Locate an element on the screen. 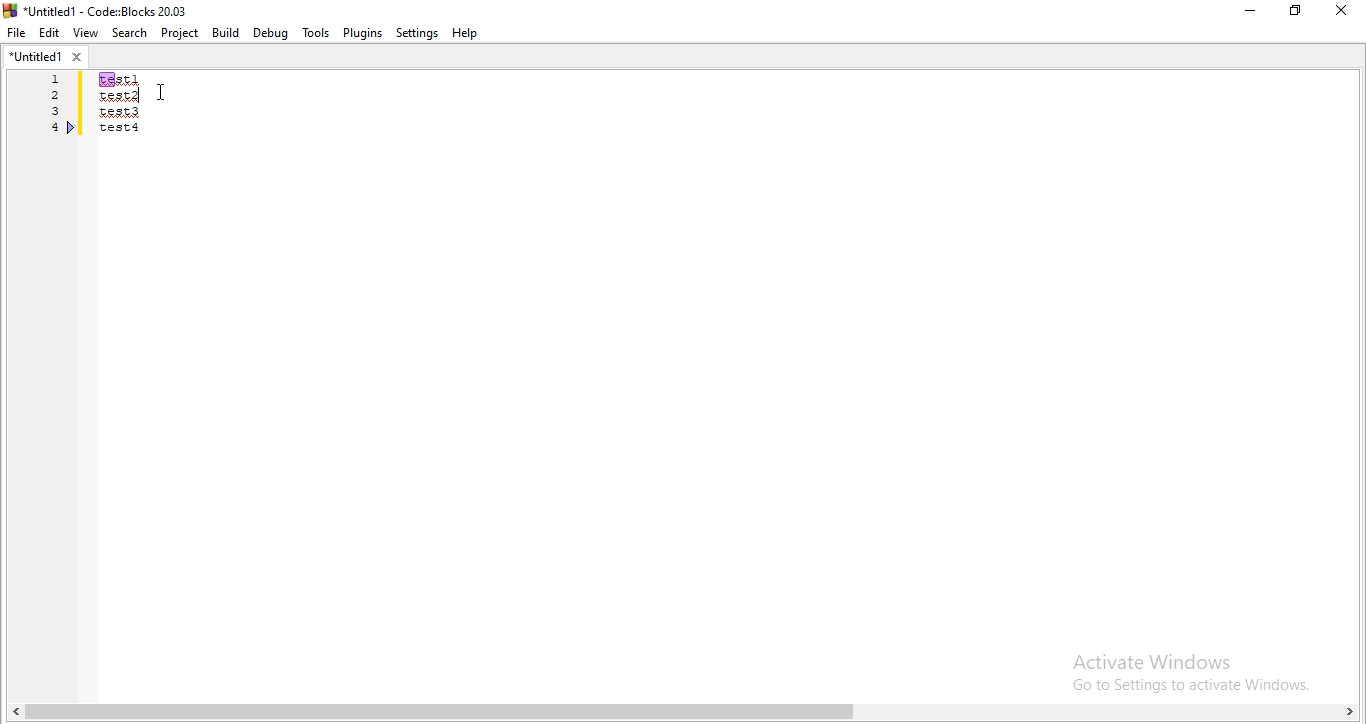 This screenshot has width=1366, height=724. scroll bar is located at coordinates (683, 713).